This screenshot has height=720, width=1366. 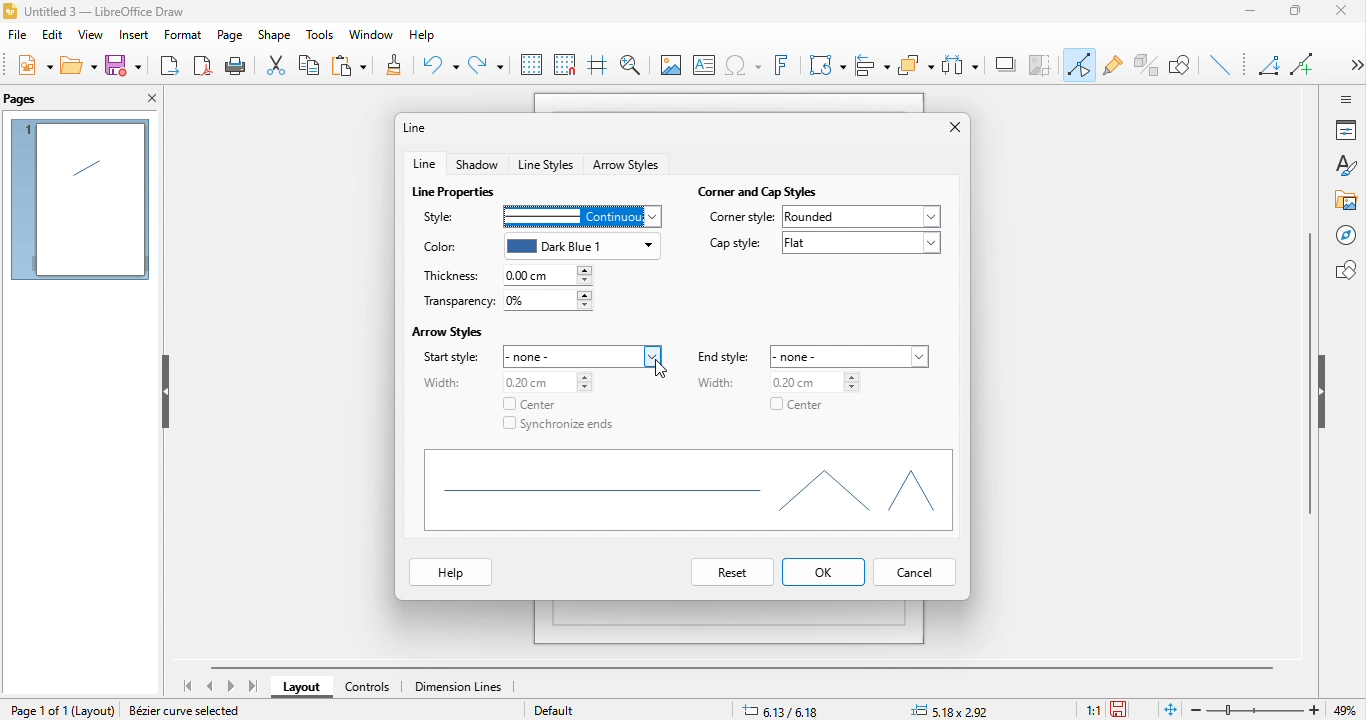 What do you see at coordinates (786, 69) in the screenshot?
I see `font work text` at bounding box center [786, 69].